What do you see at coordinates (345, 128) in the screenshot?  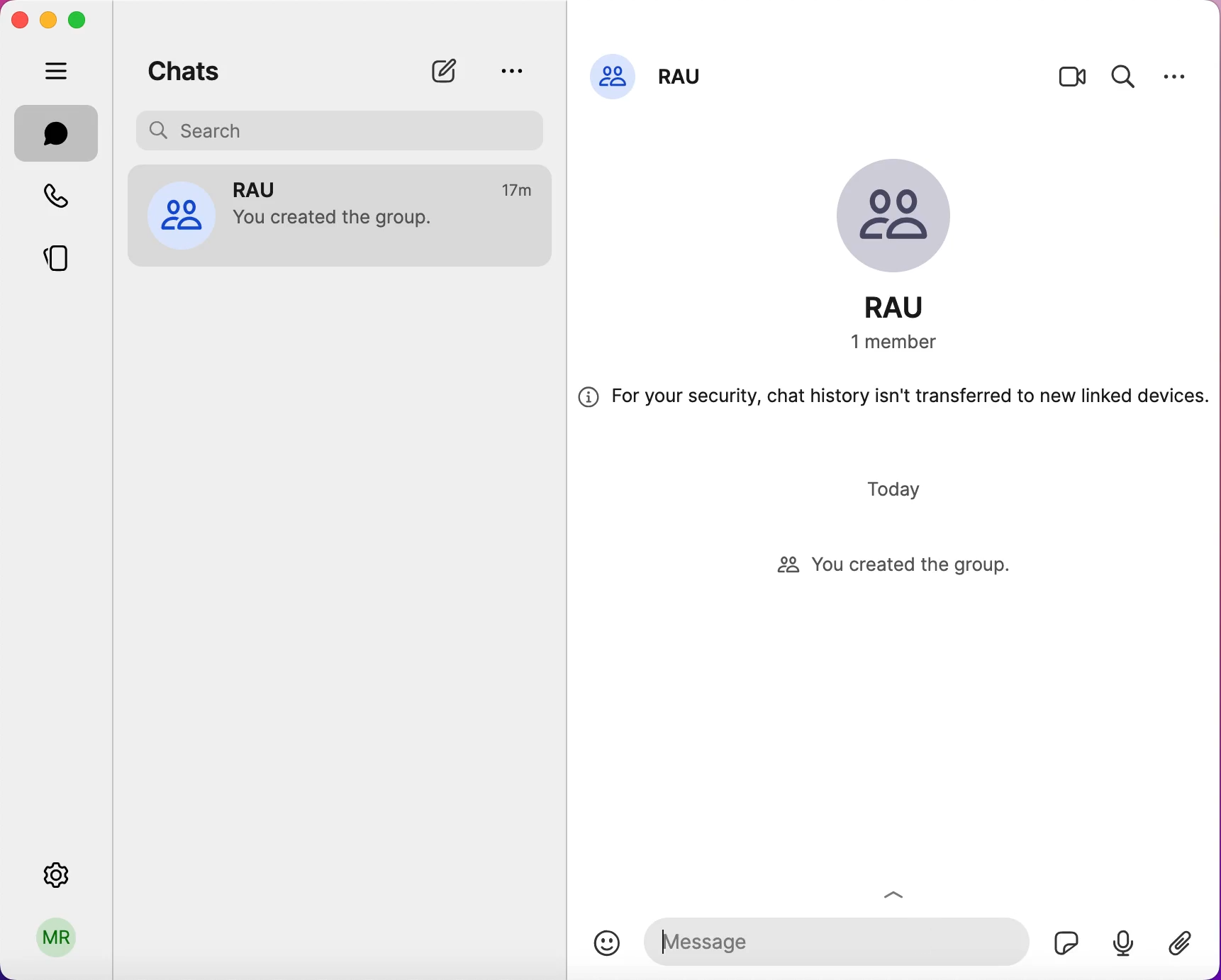 I see `search bar` at bounding box center [345, 128].